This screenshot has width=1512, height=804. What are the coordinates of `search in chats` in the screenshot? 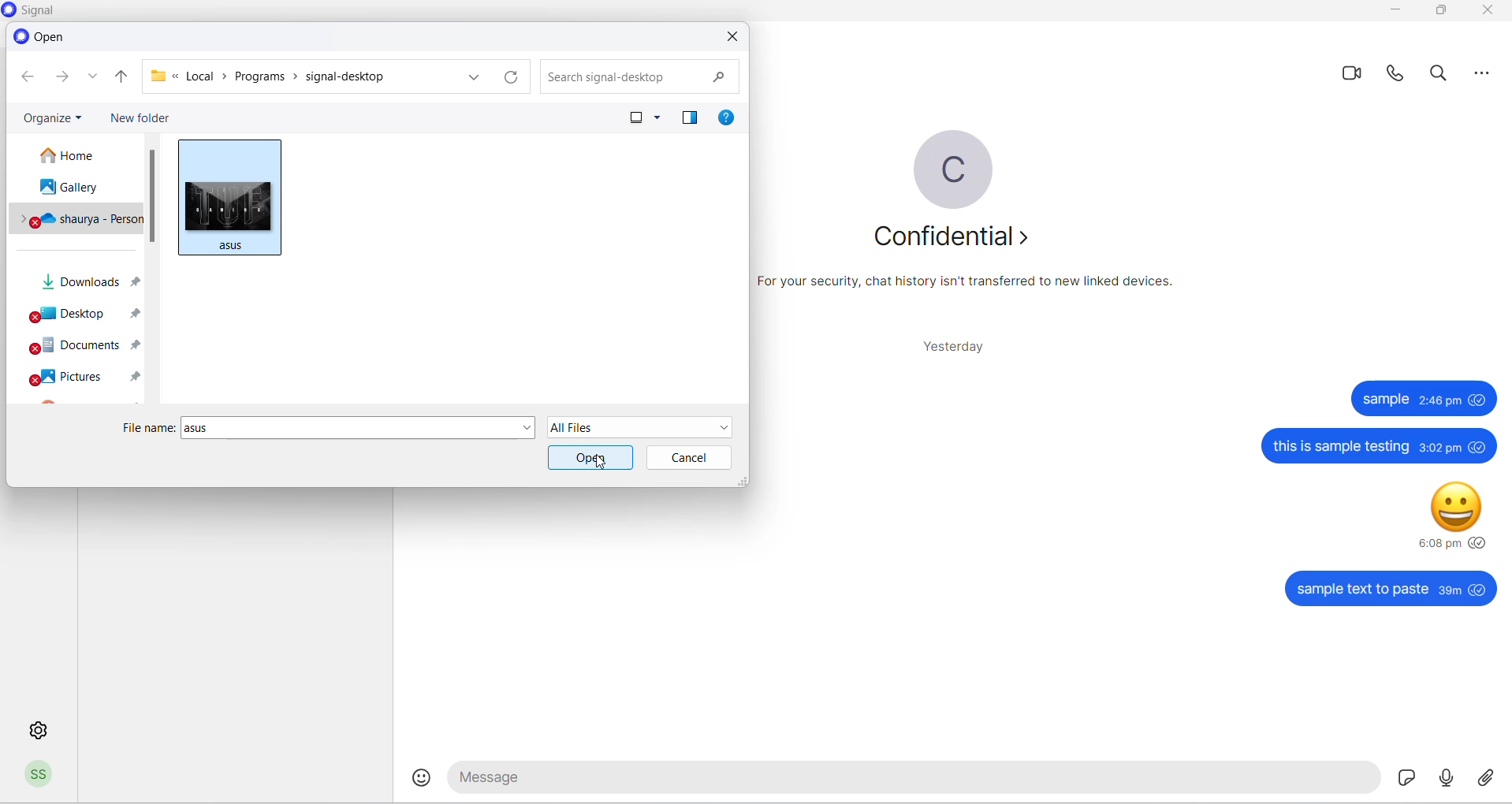 It's located at (1443, 77).